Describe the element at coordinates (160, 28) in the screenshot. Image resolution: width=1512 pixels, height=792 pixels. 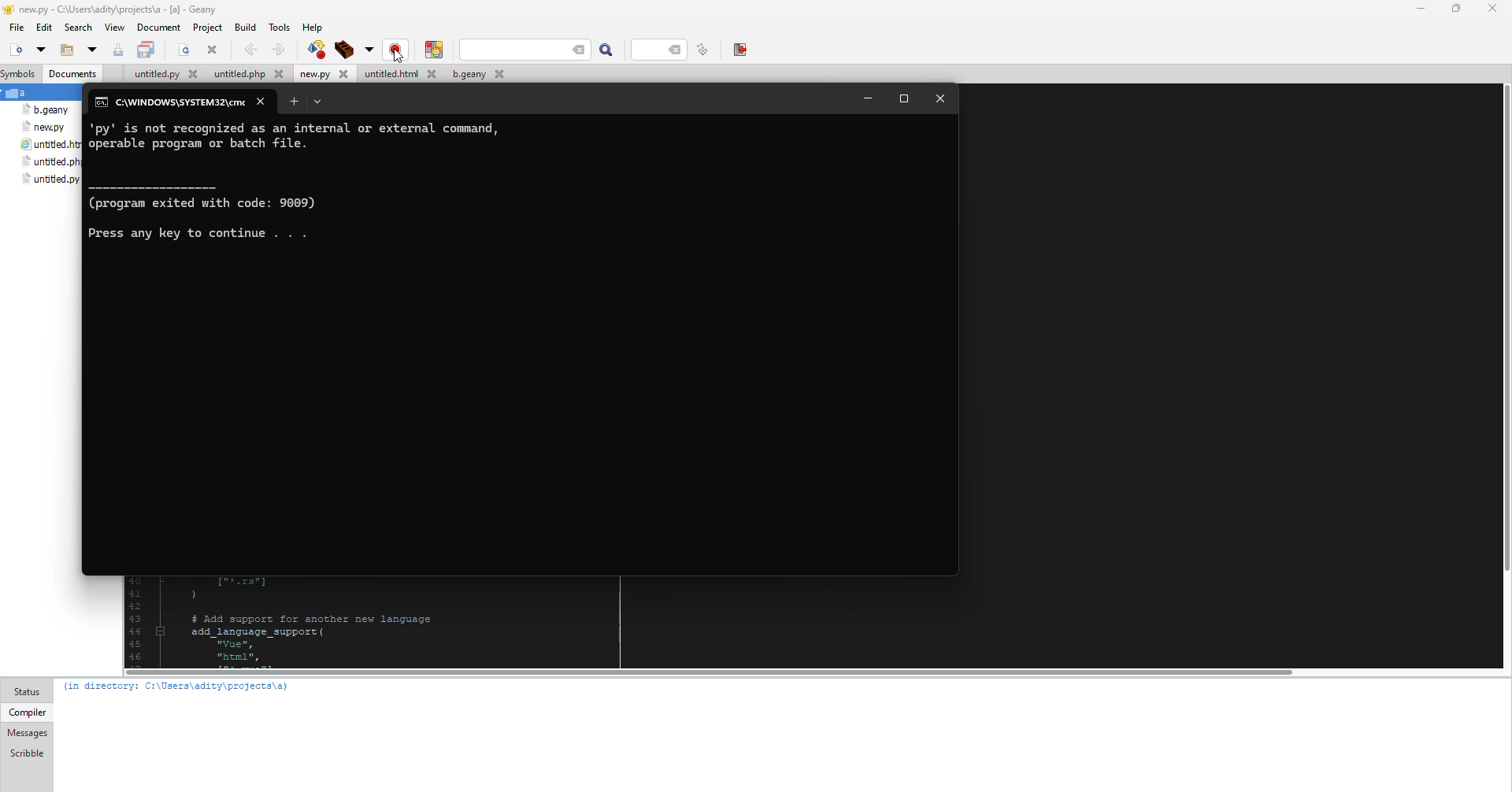
I see `document` at that location.